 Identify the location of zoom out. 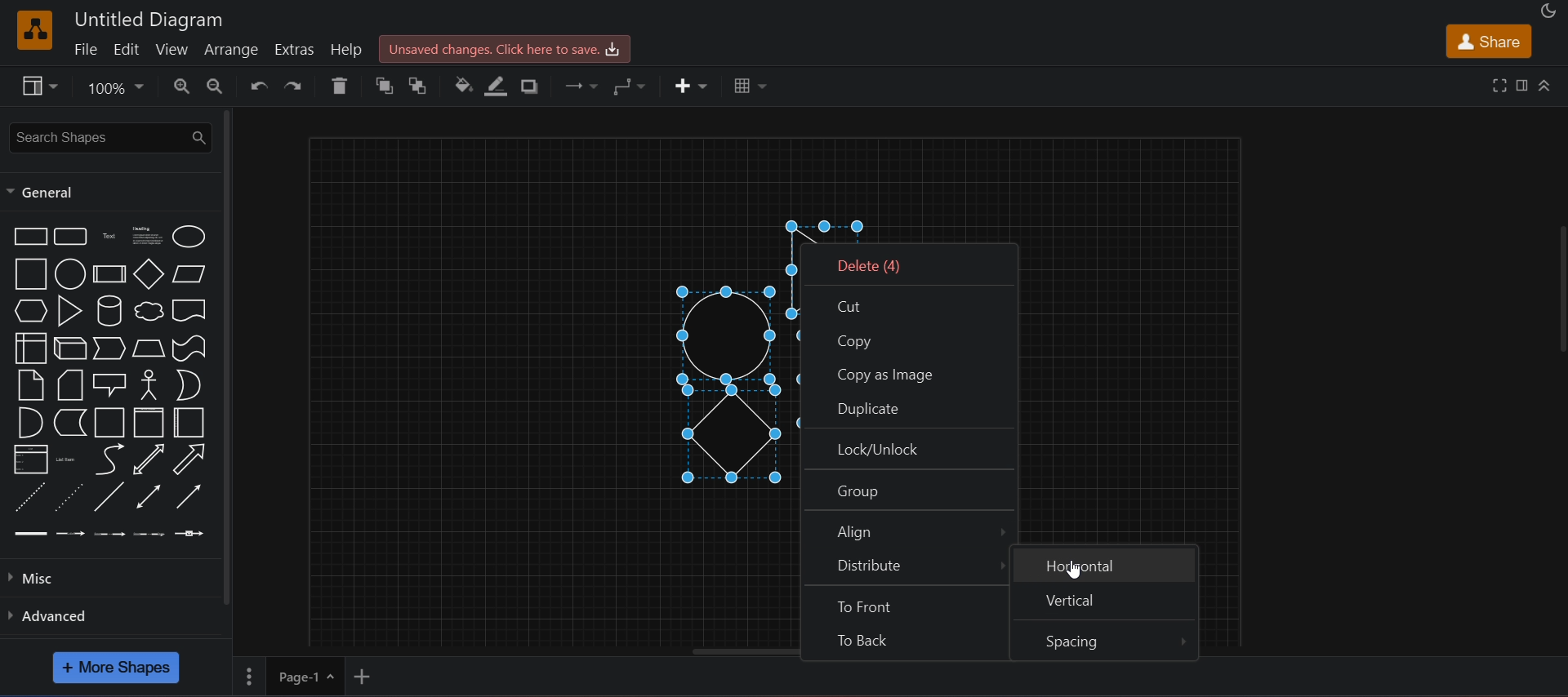
(217, 86).